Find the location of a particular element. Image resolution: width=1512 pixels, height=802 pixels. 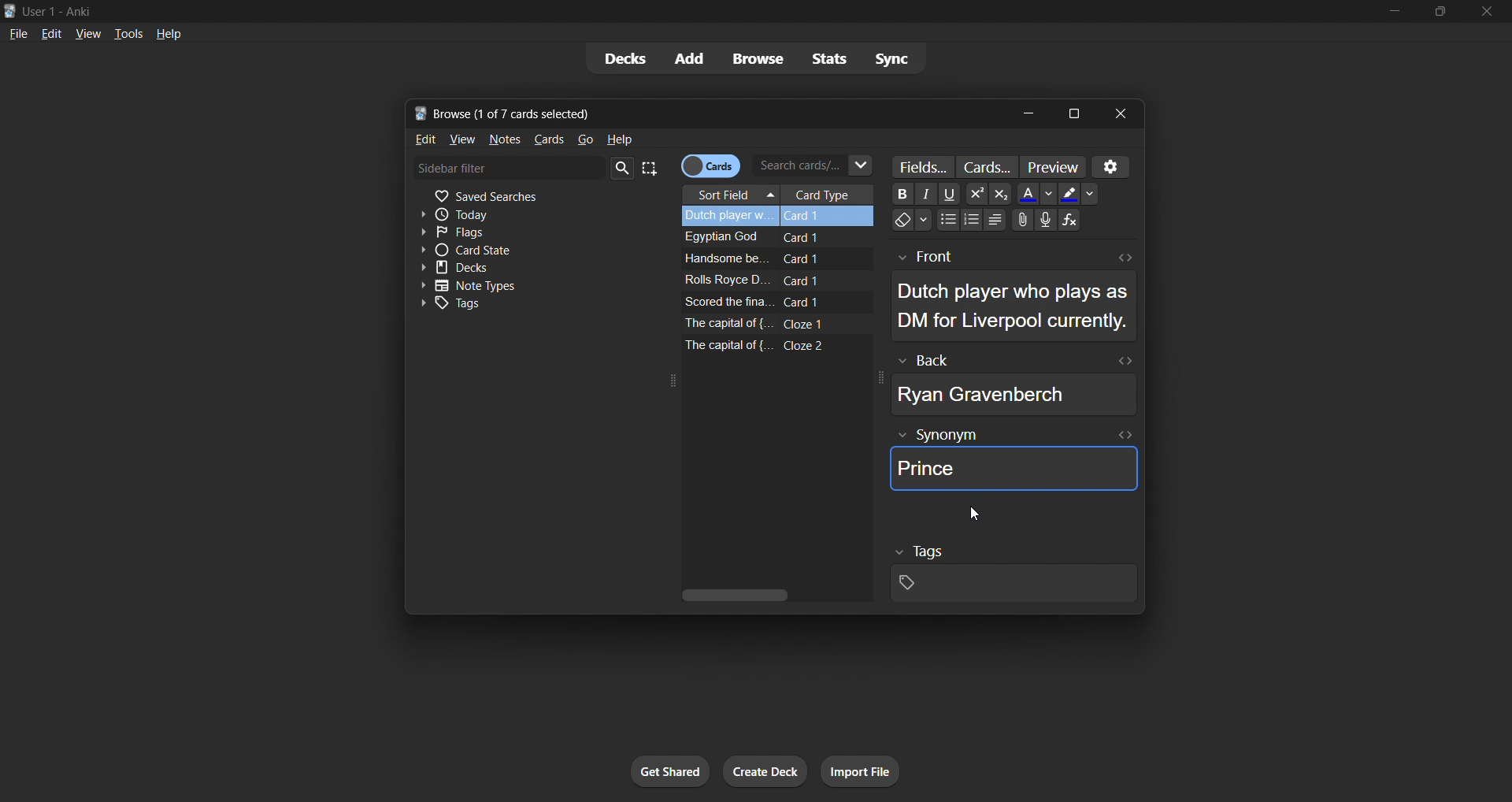

Speaker is located at coordinates (1046, 220).